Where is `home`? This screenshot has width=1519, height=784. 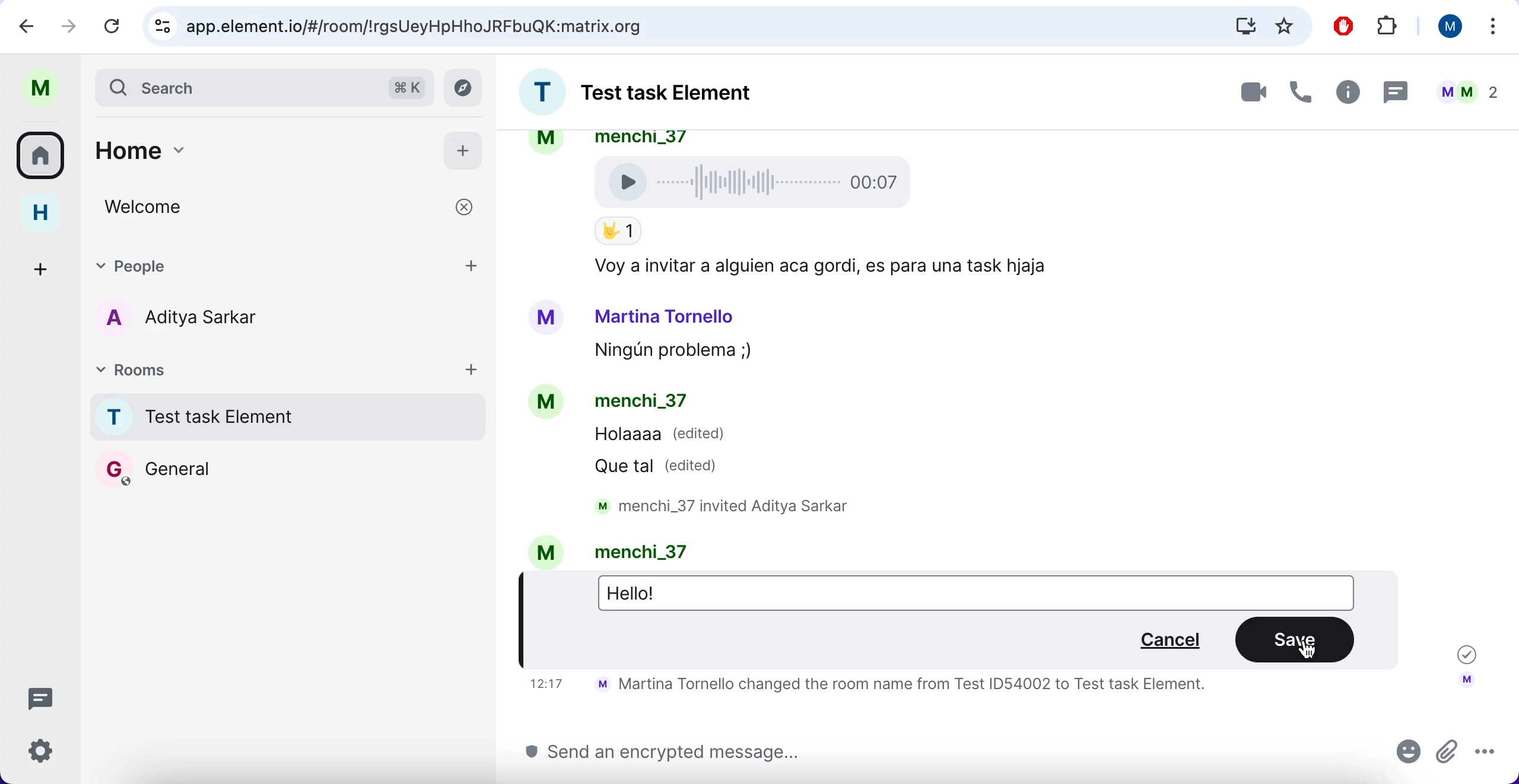 home is located at coordinates (253, 146).